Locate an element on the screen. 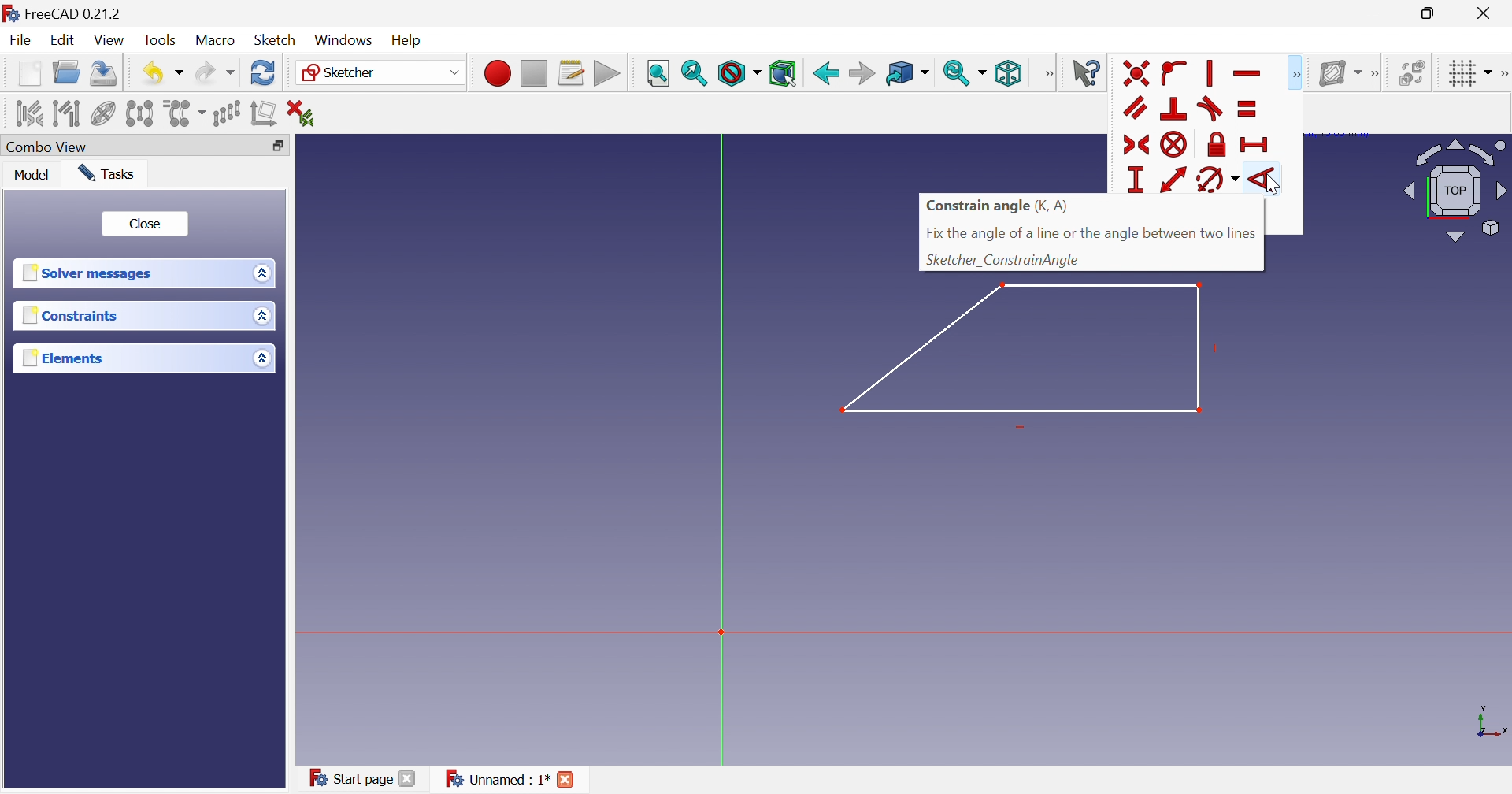 The height and width of the screenshot is (794, 1512). More is located at coordinates (1048, 73).